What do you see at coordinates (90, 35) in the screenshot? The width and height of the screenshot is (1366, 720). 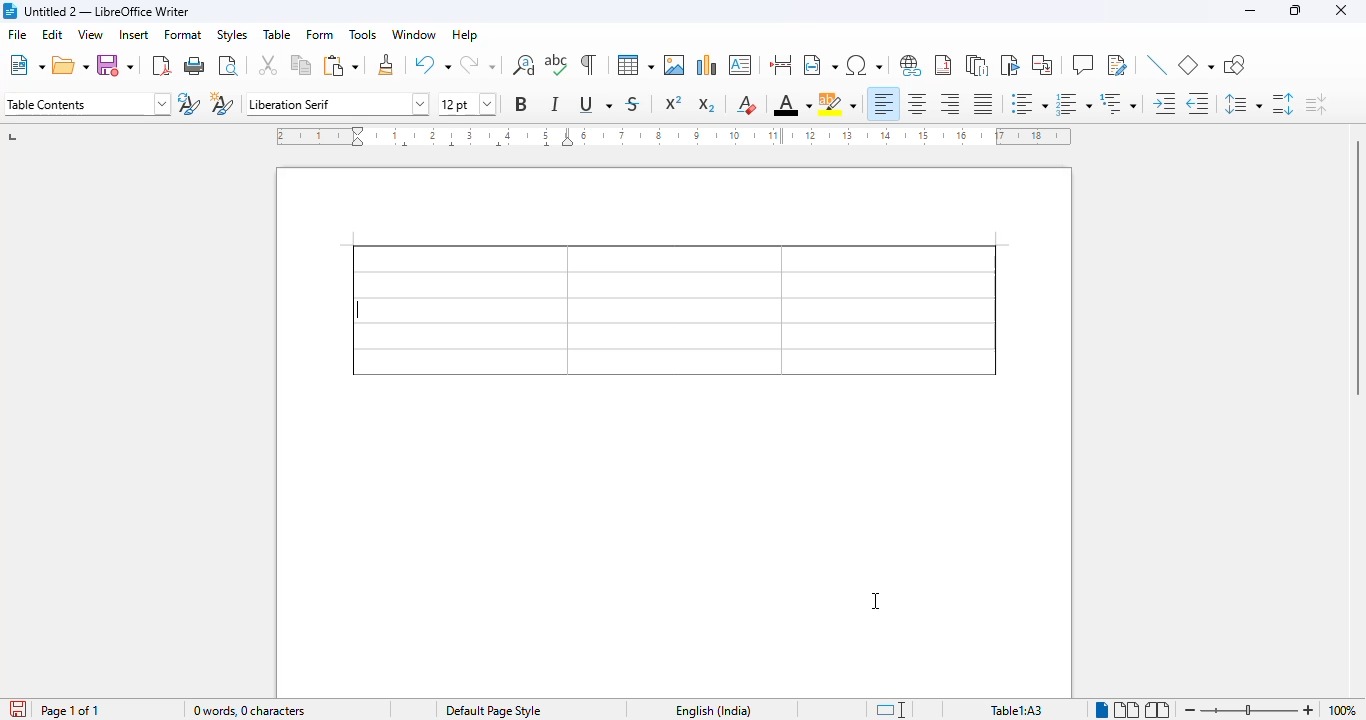 I see `view` at bounding box center [90, 35].